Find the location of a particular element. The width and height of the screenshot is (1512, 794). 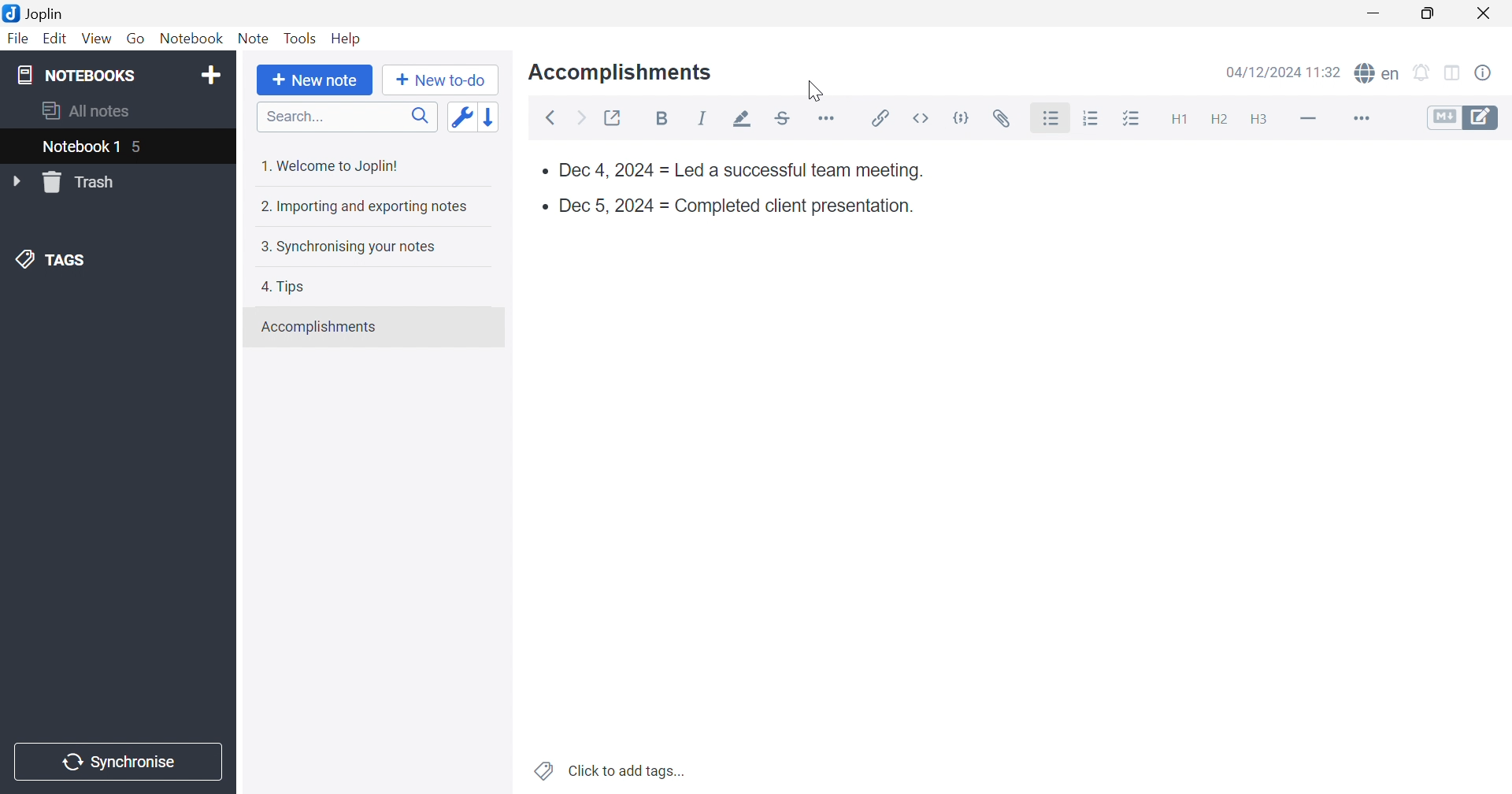

Dec 4, 2024 = Led a successful team meeting is located at coordinates (738, 172).